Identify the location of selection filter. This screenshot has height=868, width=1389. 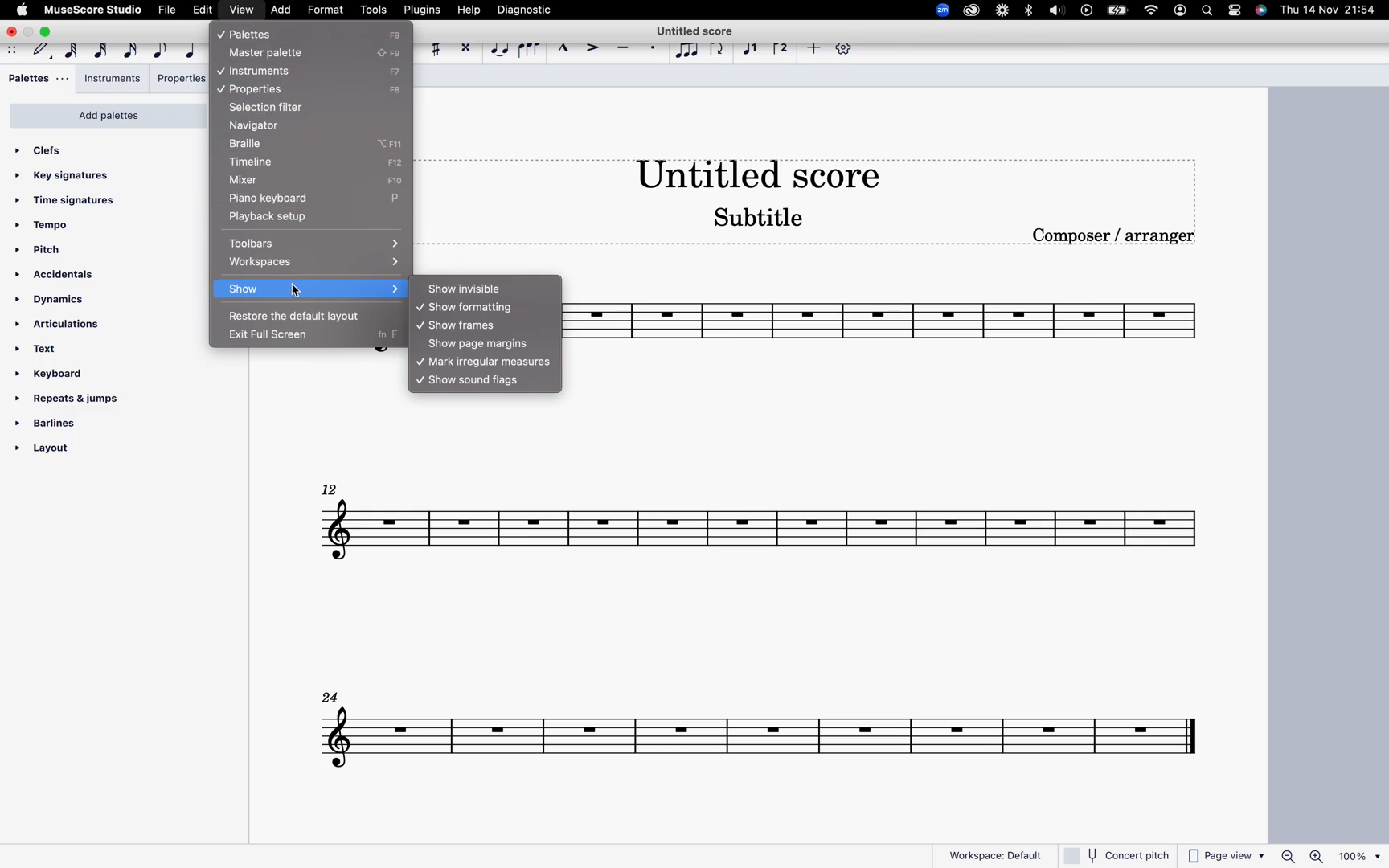
(279, 107).